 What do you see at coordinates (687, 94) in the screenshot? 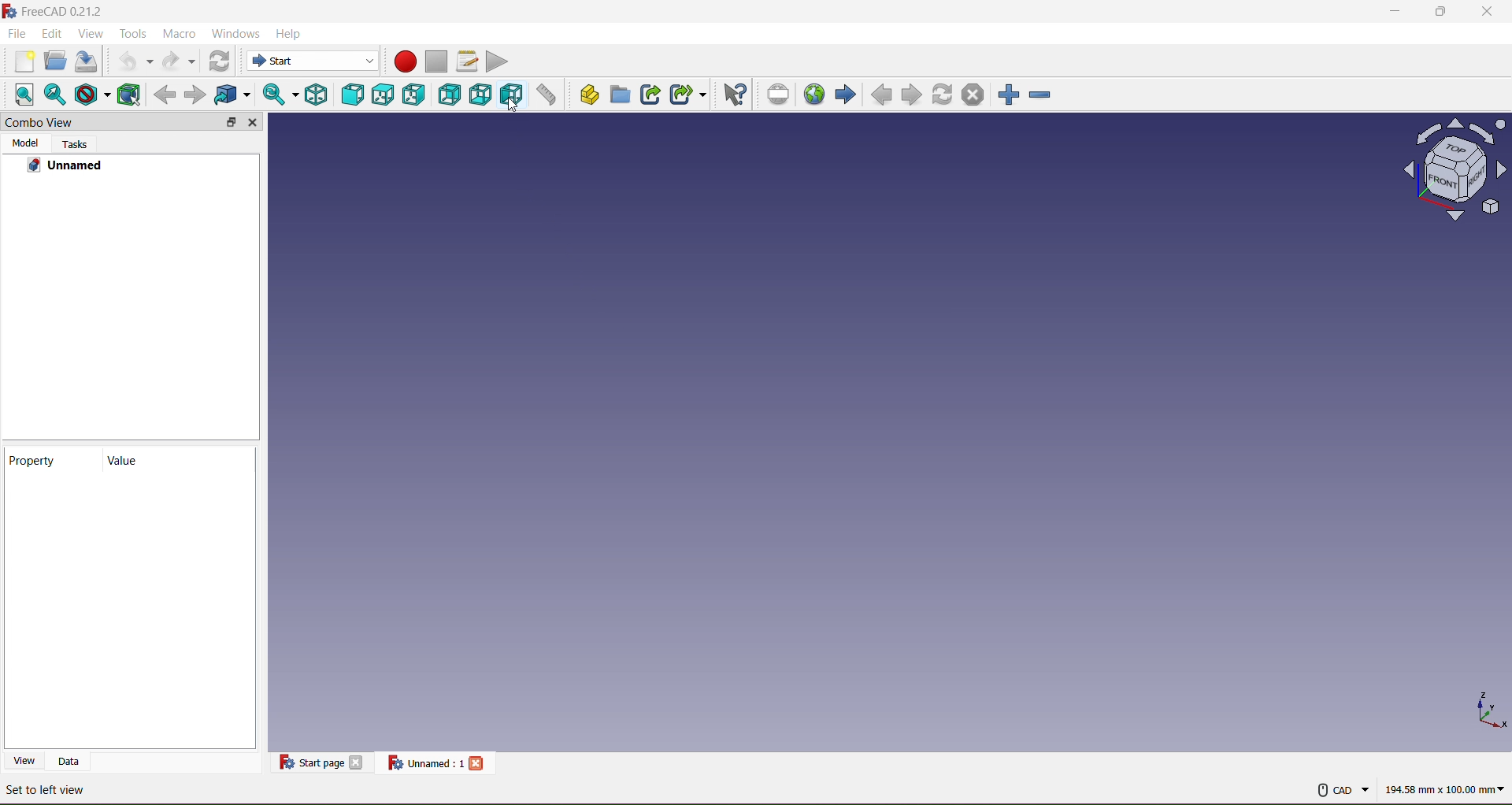
I see `Make Sub link` at bounding box center [687, 94].